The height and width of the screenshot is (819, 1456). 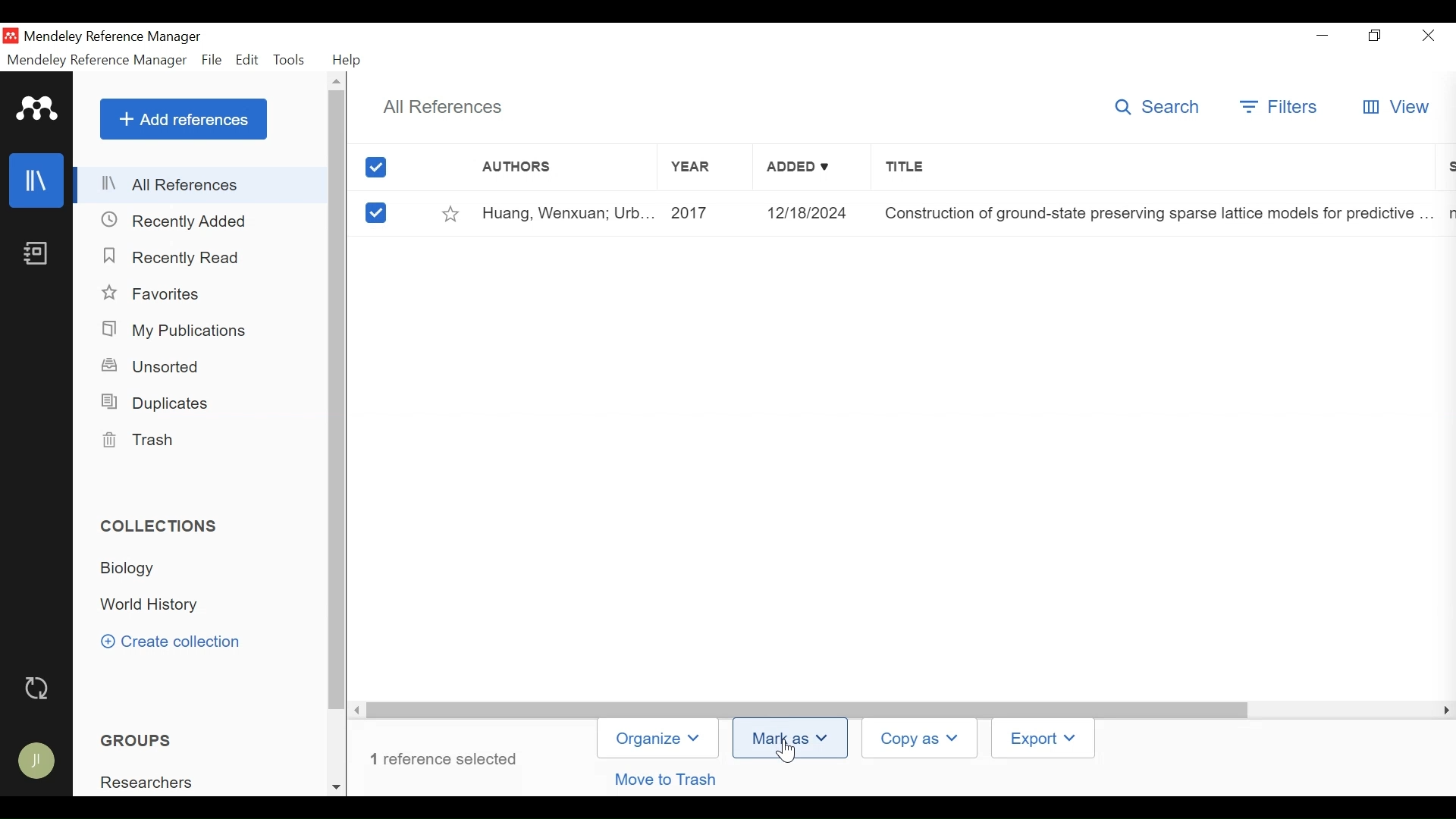 What do you see at coordinates (568, 215) in the screenshot?
I see `Author` at bounding box center [568, 215].